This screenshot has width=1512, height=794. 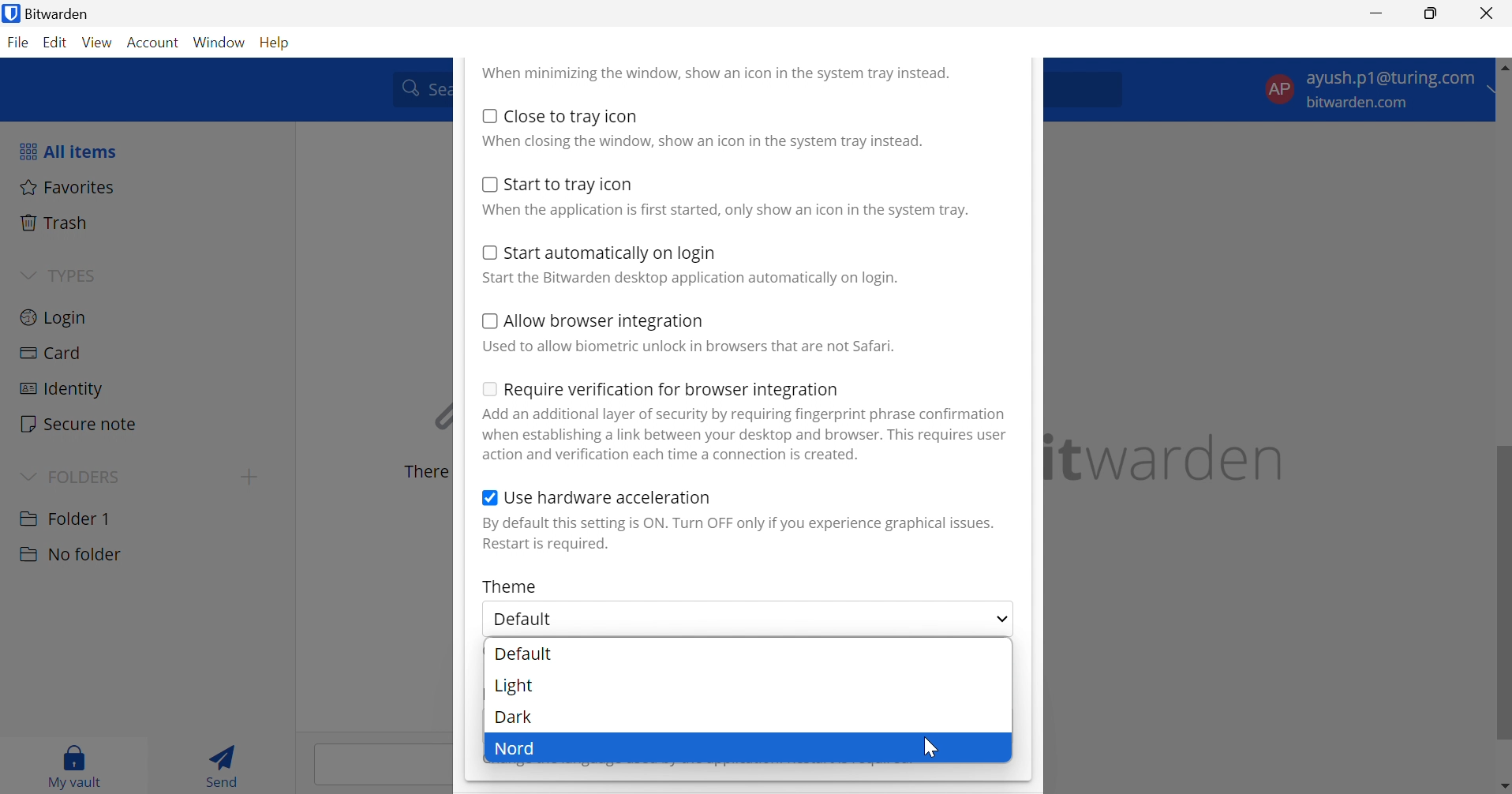 I want to click on , so click(x=715, y=72).